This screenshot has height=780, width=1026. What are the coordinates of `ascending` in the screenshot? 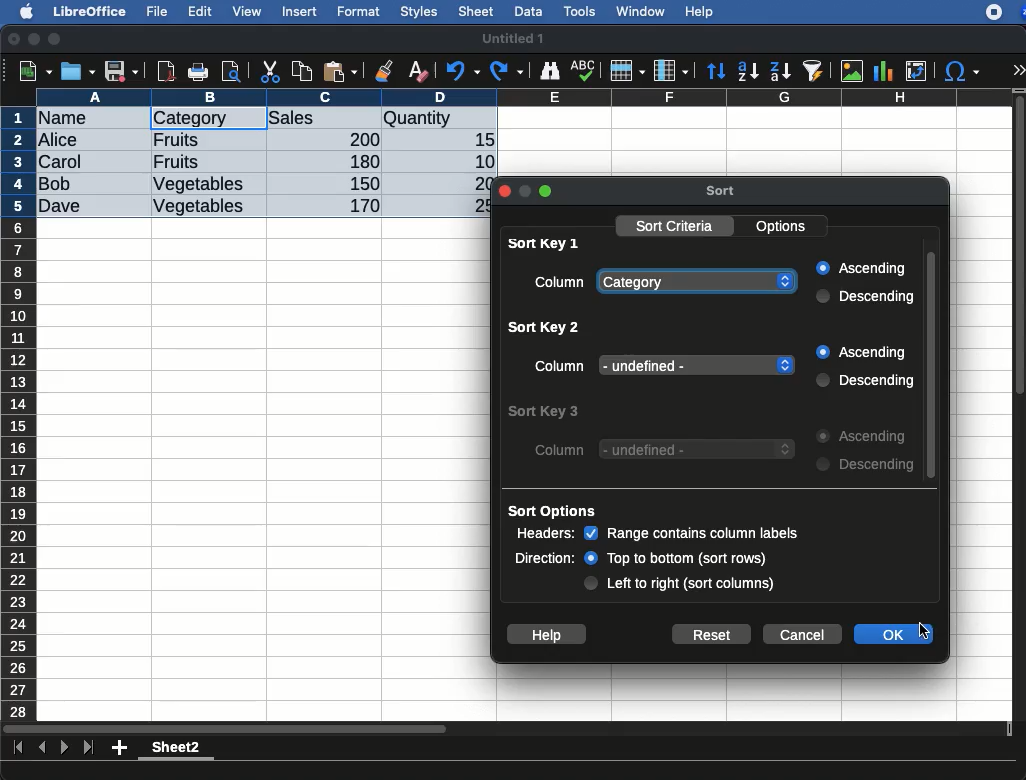 It's located at (859, 269).